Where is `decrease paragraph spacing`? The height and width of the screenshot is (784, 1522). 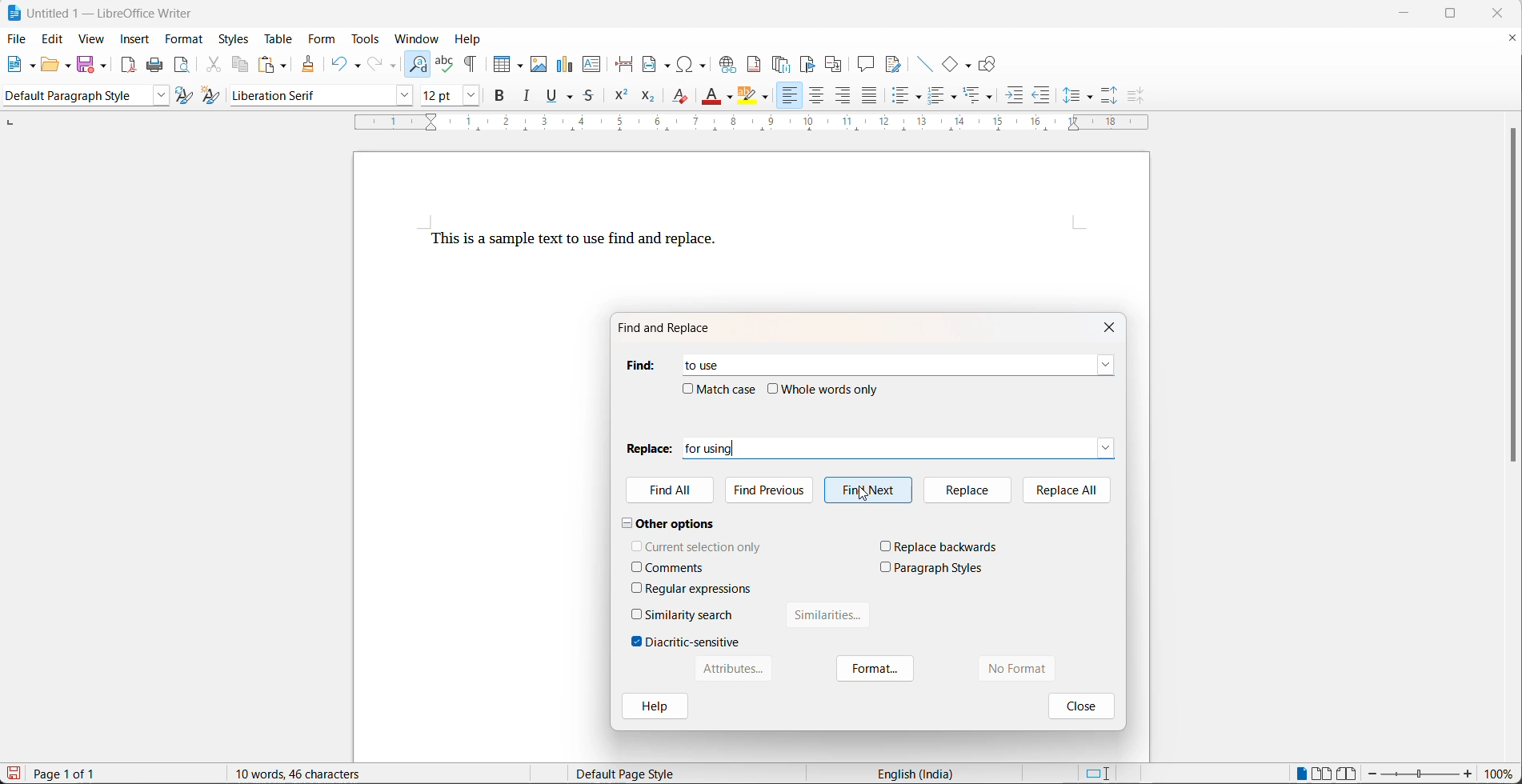 decrease paragraph spacing is located at coordinates (1133, 96).